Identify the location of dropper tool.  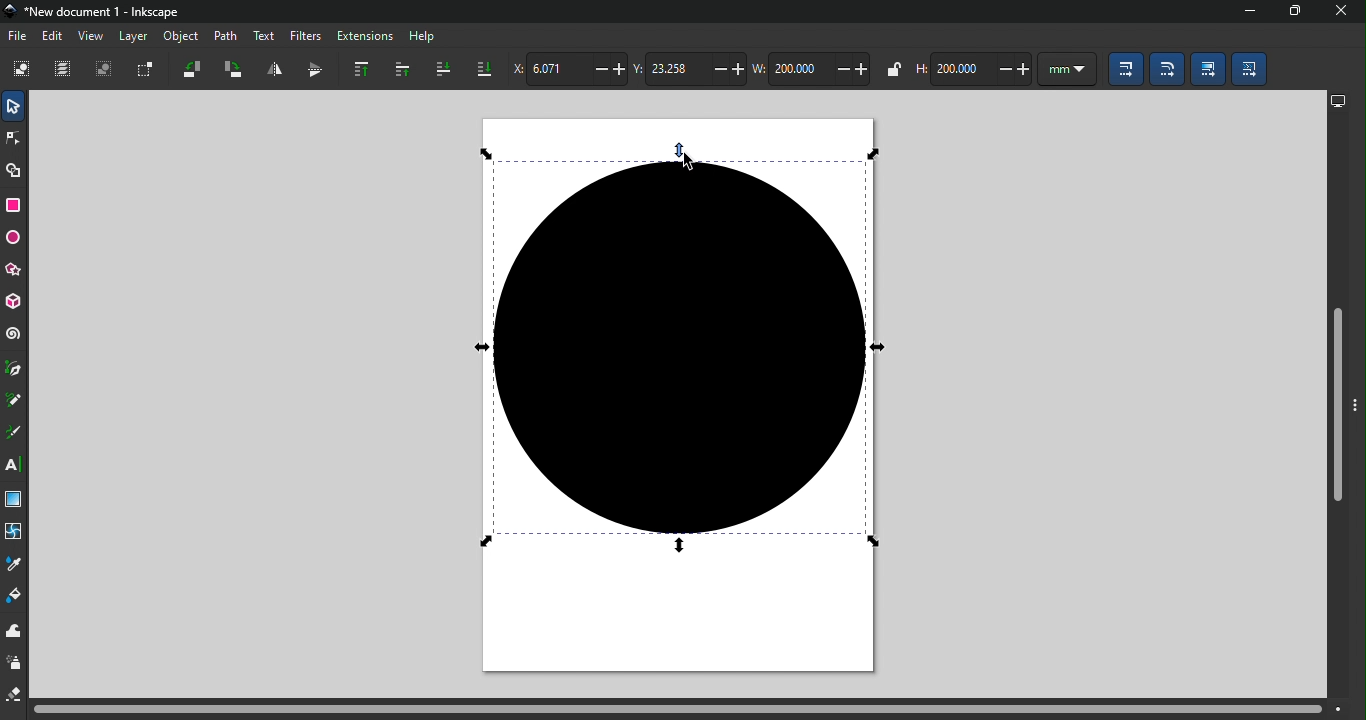
(15, 567).